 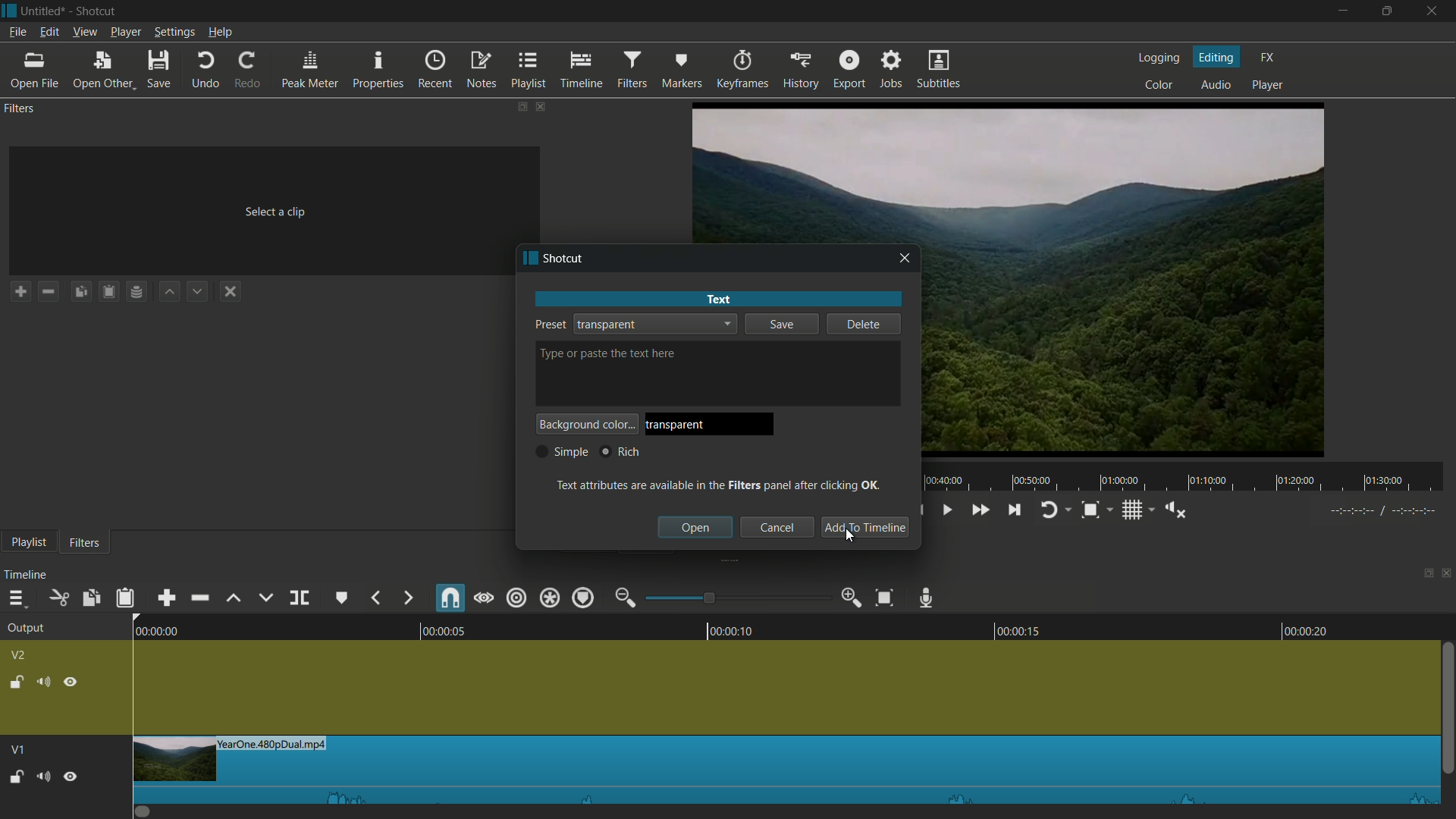 I want to click on timeline, so click(x=27, y=576).